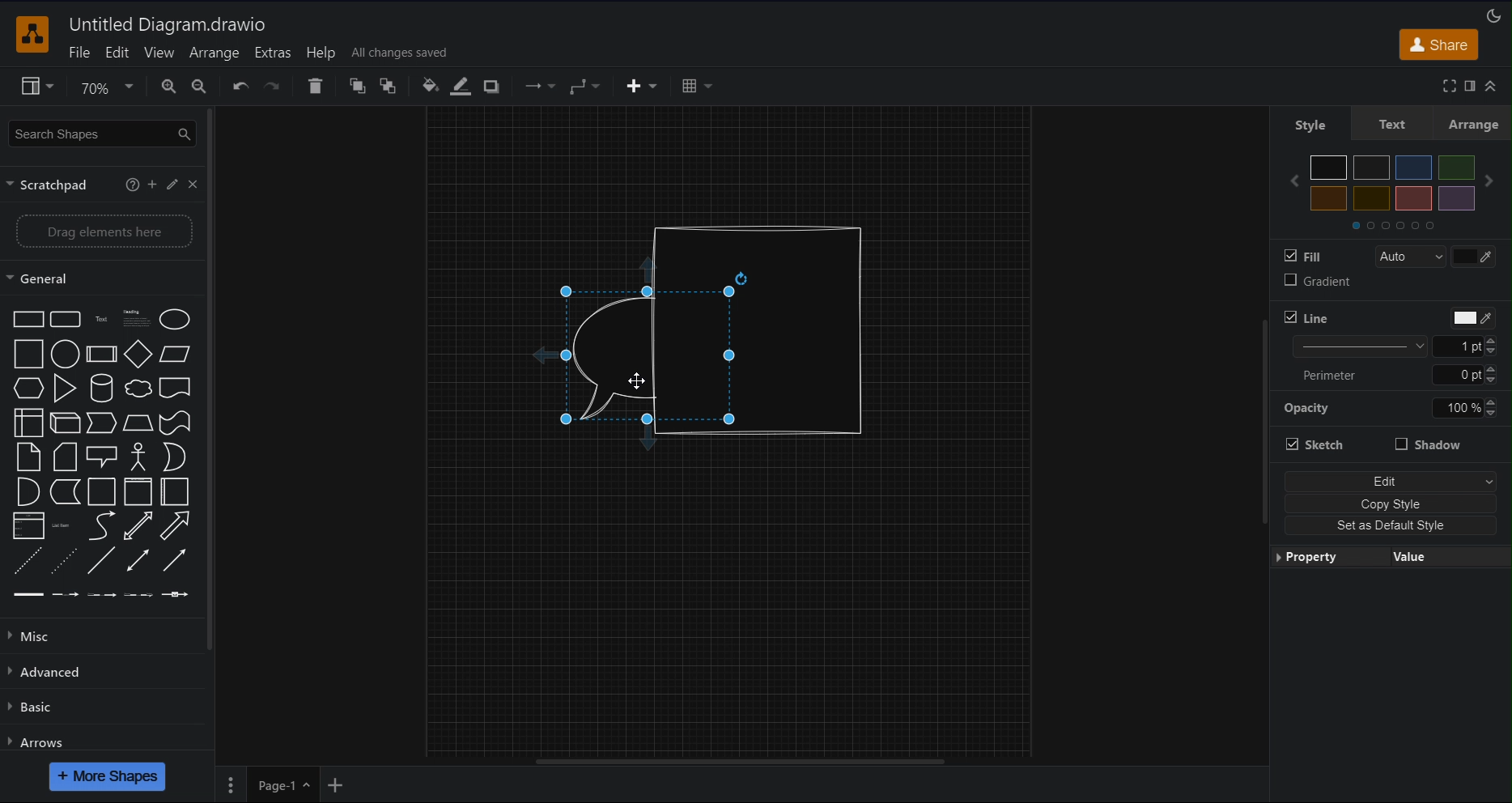  What do you see at coordinates (160, 53) in the screenshot?
I see `View` at bounding box center [160, 53].